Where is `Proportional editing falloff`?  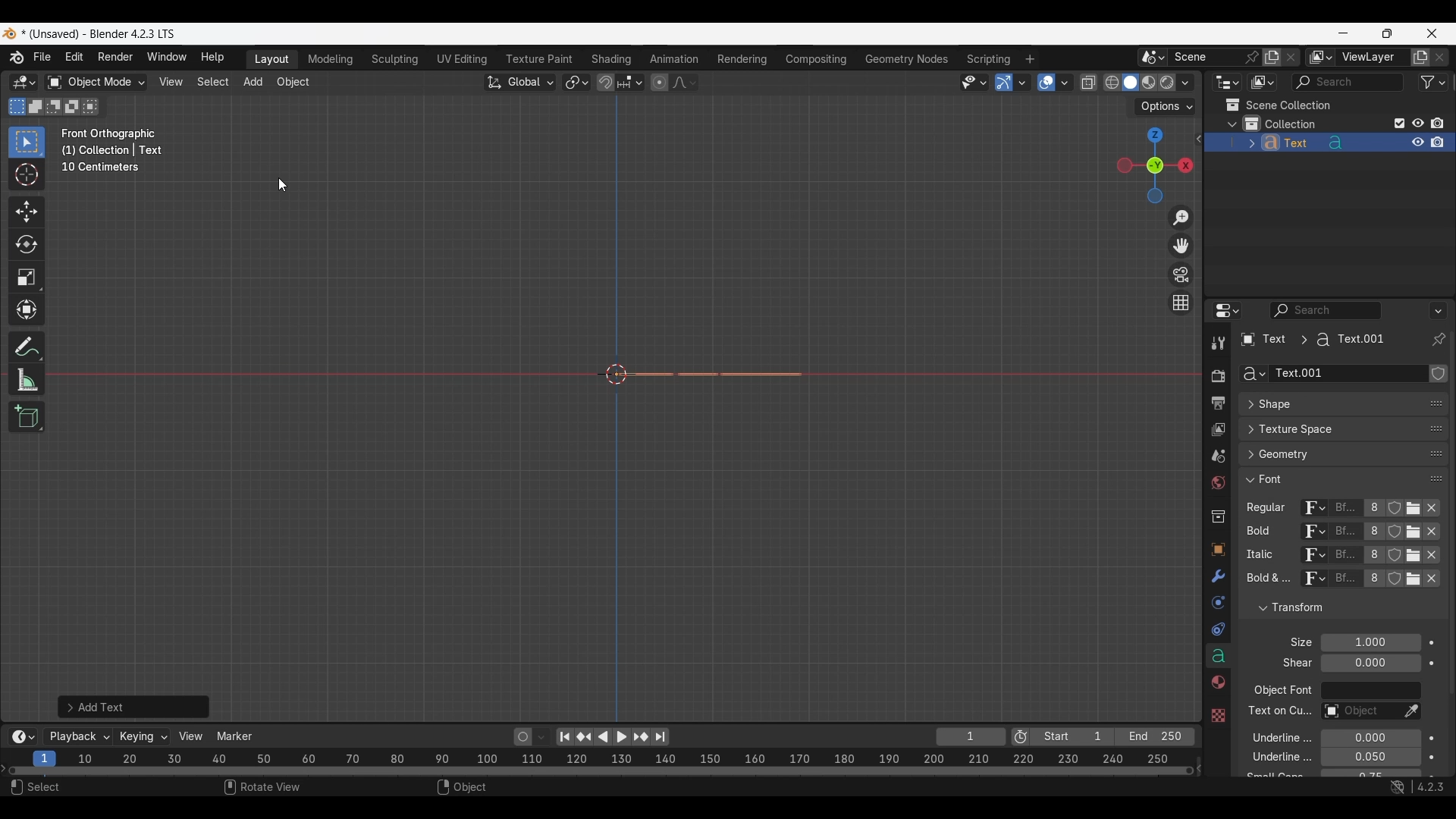 Proportional editing falloff is located at coordinates (685, 82).